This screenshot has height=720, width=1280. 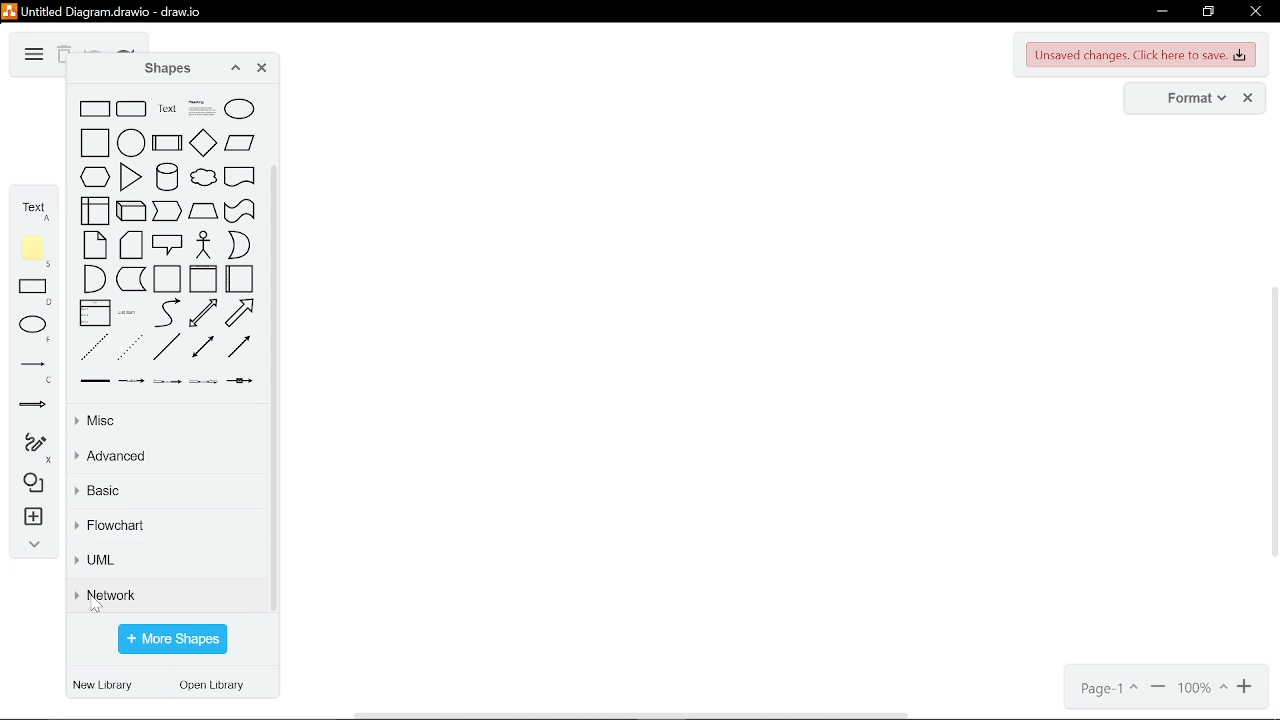 What do you see at coordinates (172, 640) in the screenshot?
I see `more shapes` at bounding box center [172, 640].